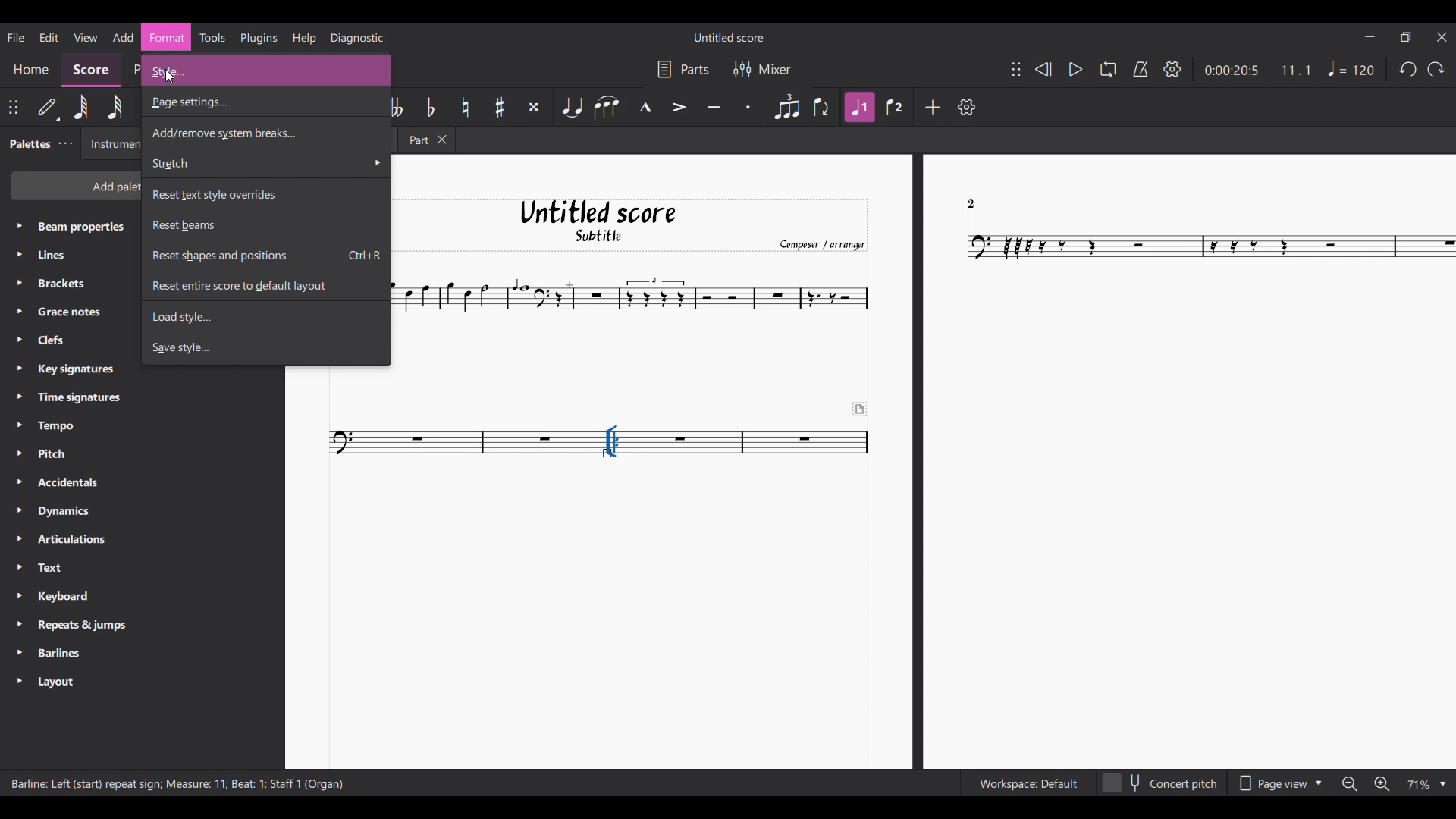 This screenshot has height=819, width=1456. Describe the element at coordinates (934, 107) in the screenshot. I see `Add` at that location.